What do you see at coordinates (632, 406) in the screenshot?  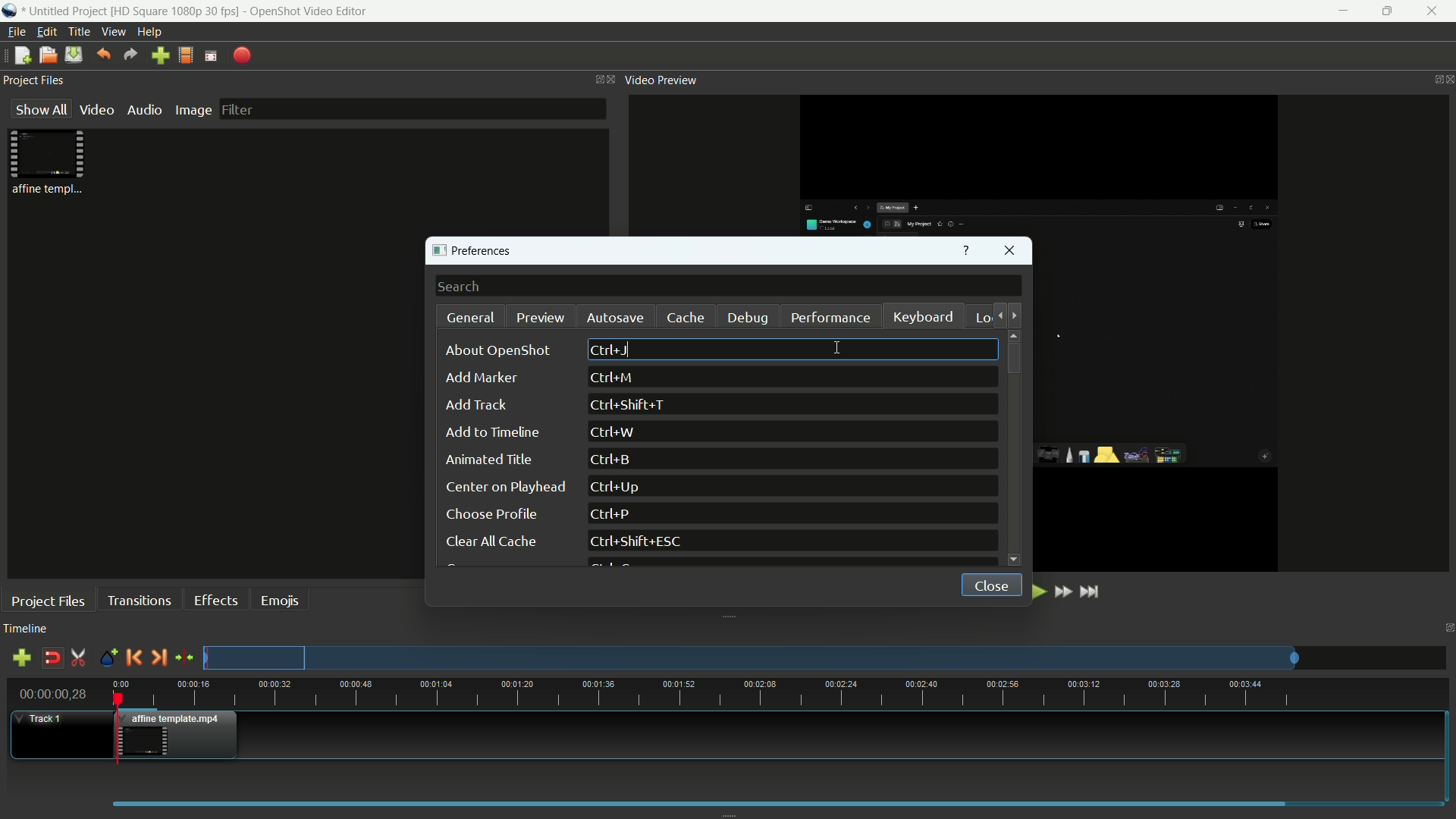 I see `keyboard shortcut` at bounding box center [632, 406].